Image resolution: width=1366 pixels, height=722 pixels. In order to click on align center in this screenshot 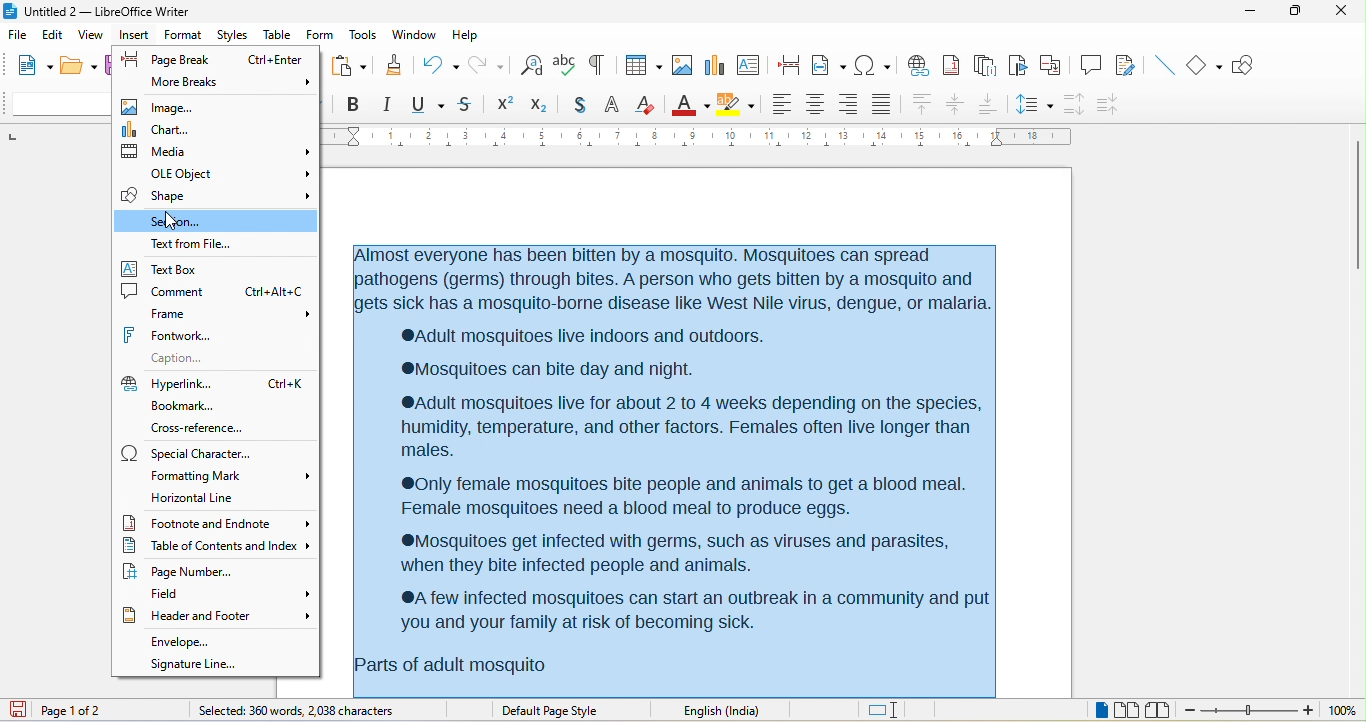, I will do `click(815, 105)`.